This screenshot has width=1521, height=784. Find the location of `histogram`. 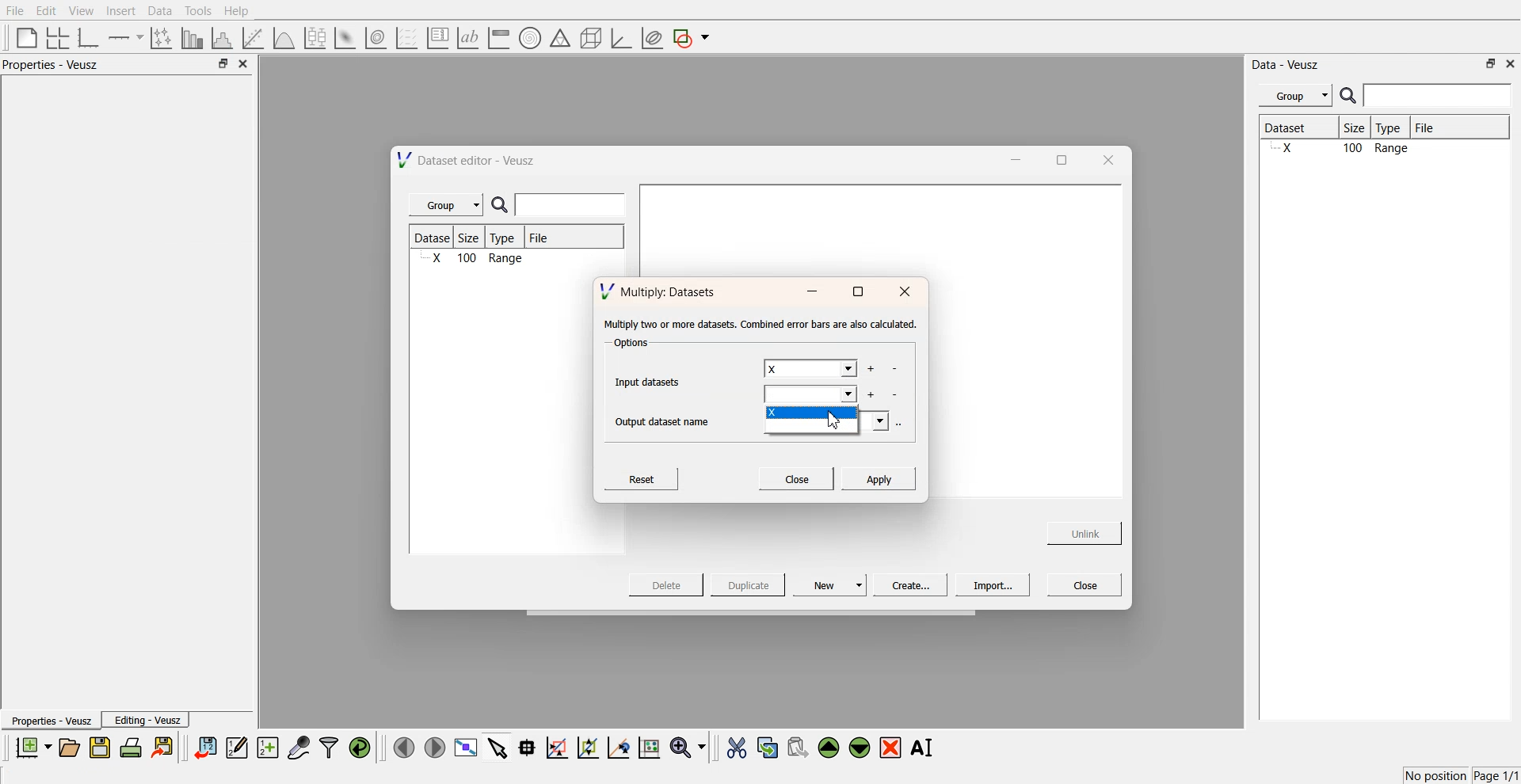

histogram is located at coordinates (225, 37).